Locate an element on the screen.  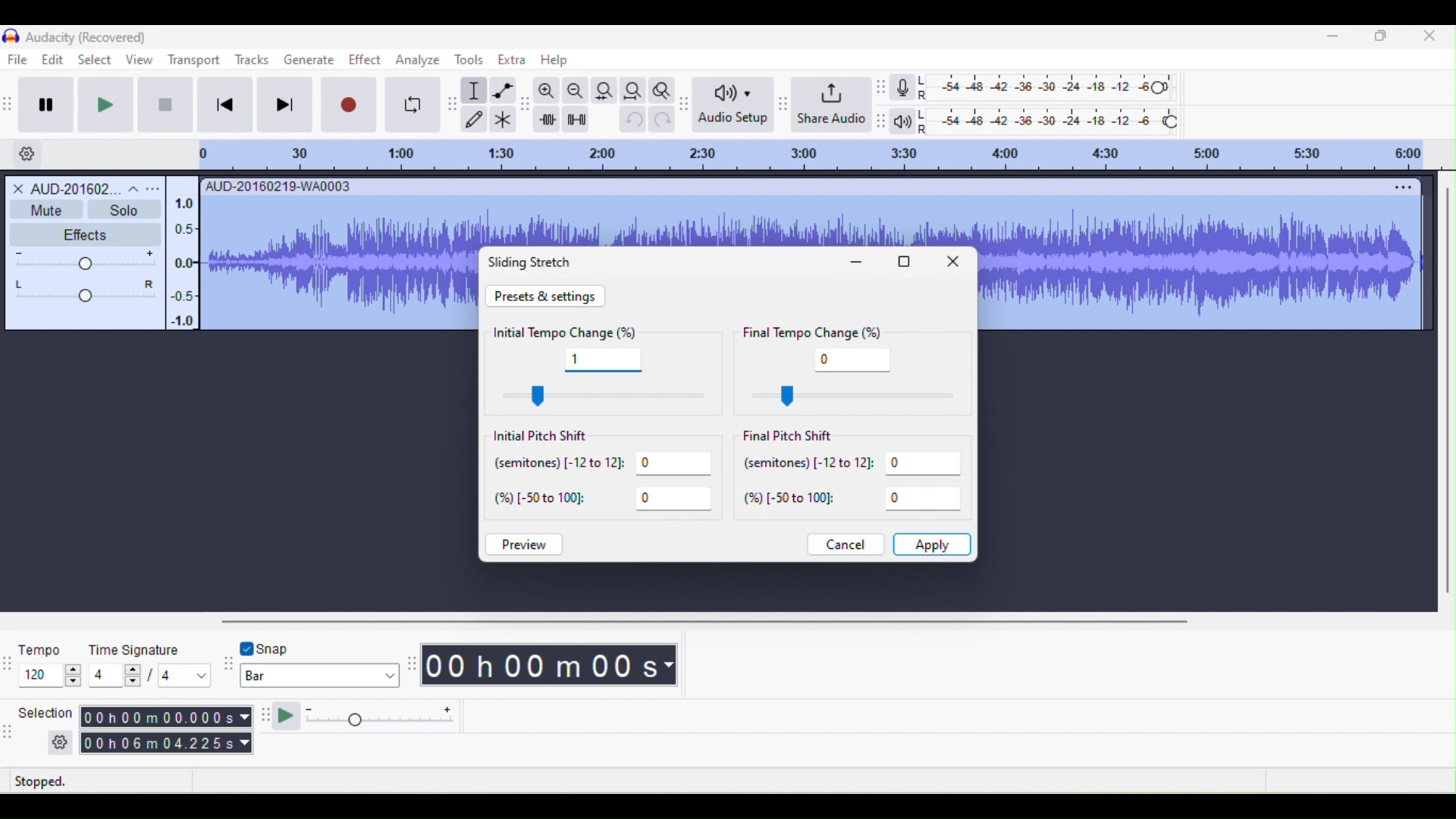
audacity plat at speed is located at coordinates (266, 718).